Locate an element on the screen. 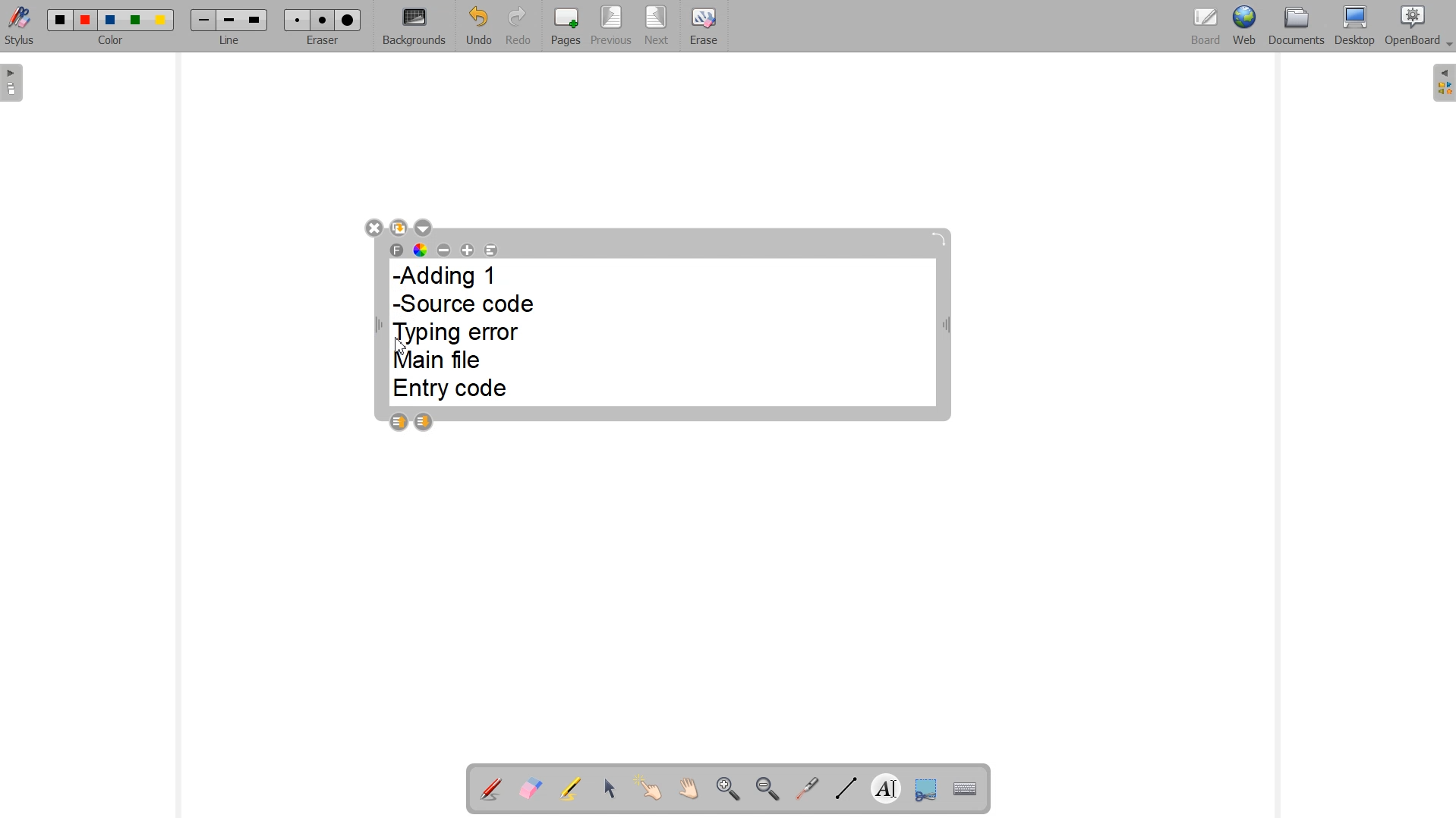  Color 1 is located at coordinates (61, 20).